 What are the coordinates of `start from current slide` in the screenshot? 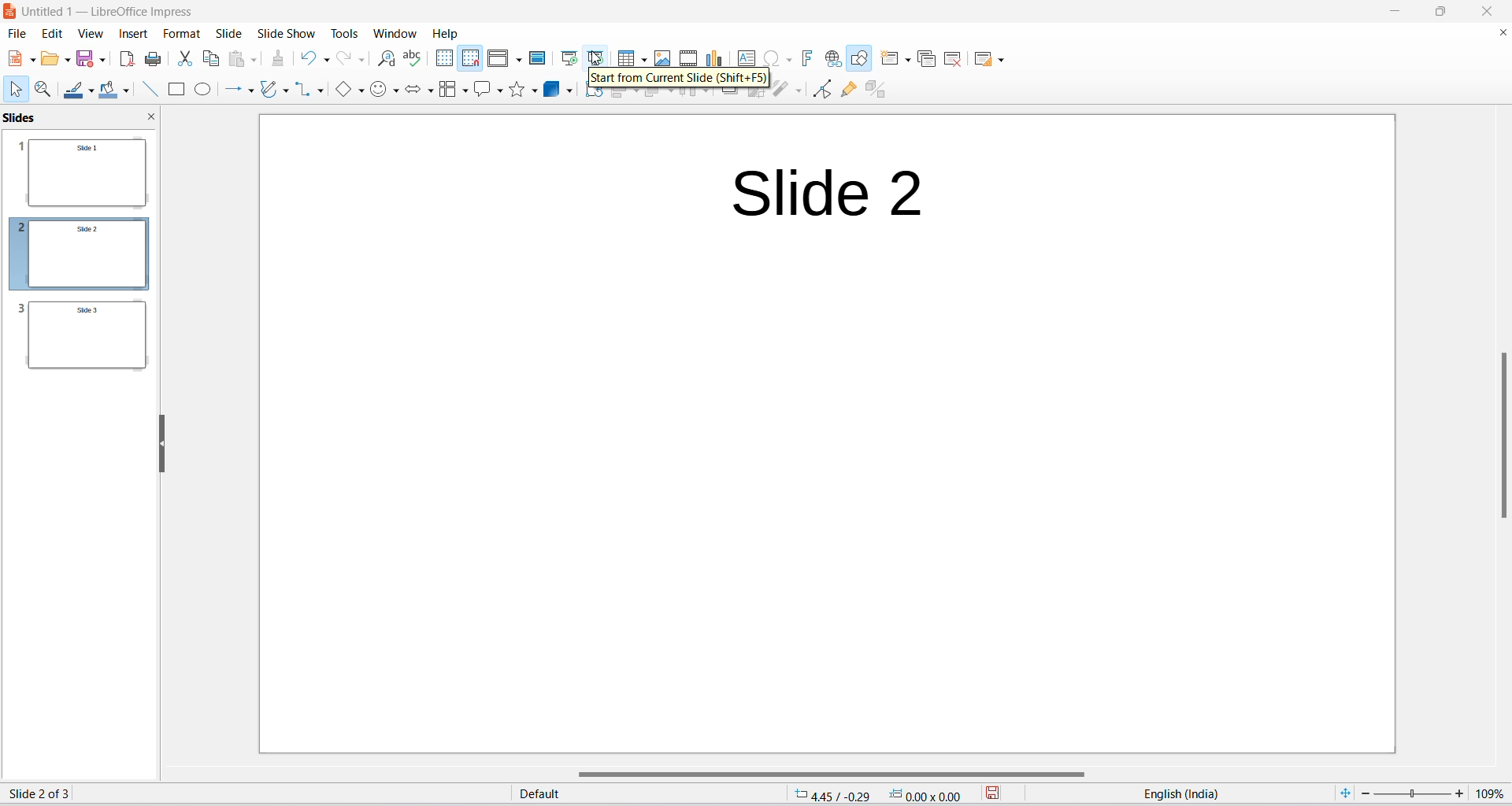 It's located at (597, 57).